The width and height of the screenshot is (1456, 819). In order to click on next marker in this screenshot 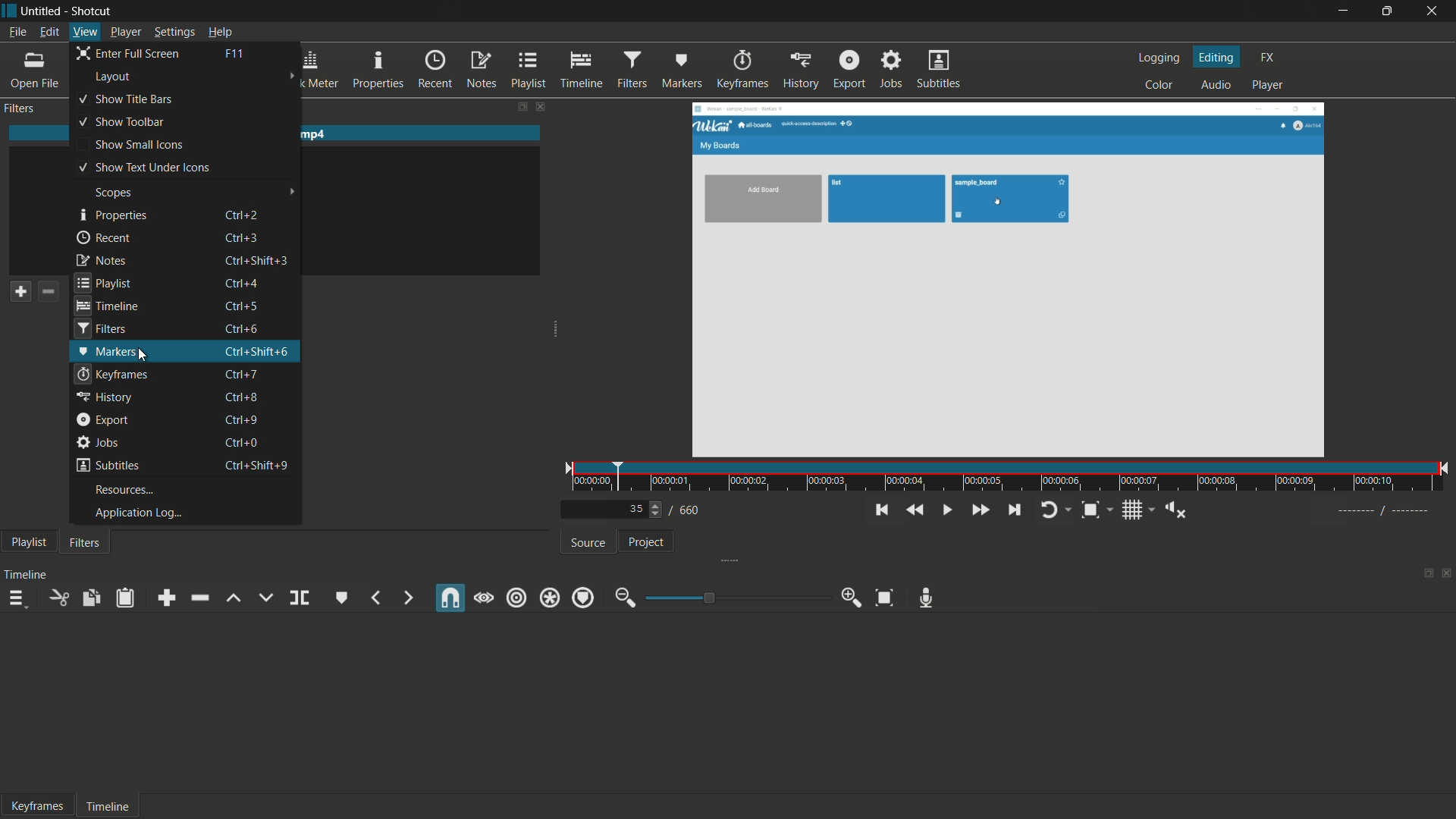, I will do `click(409, 597)`.